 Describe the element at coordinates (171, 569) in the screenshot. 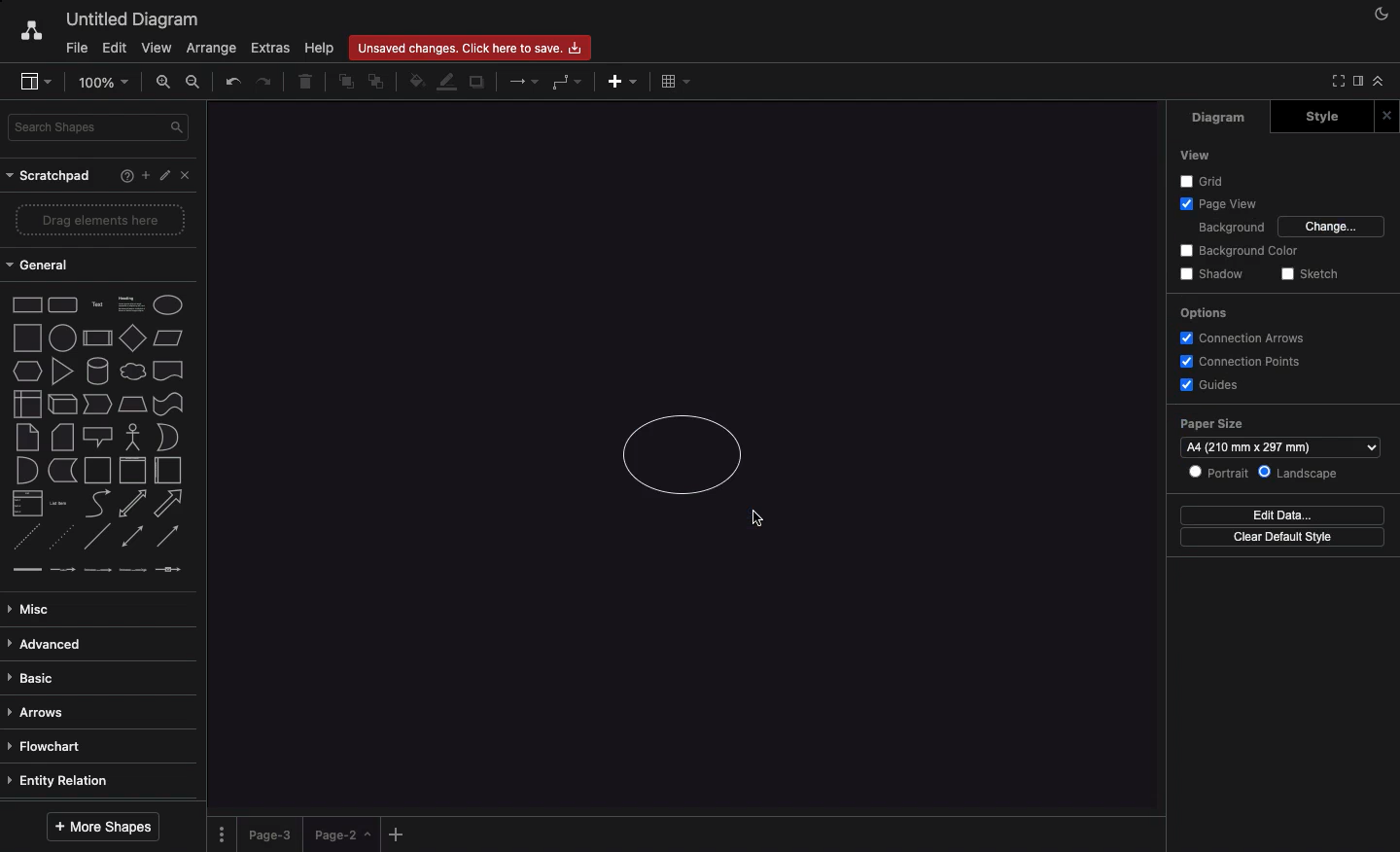

I see `connector with symbol` at that location.